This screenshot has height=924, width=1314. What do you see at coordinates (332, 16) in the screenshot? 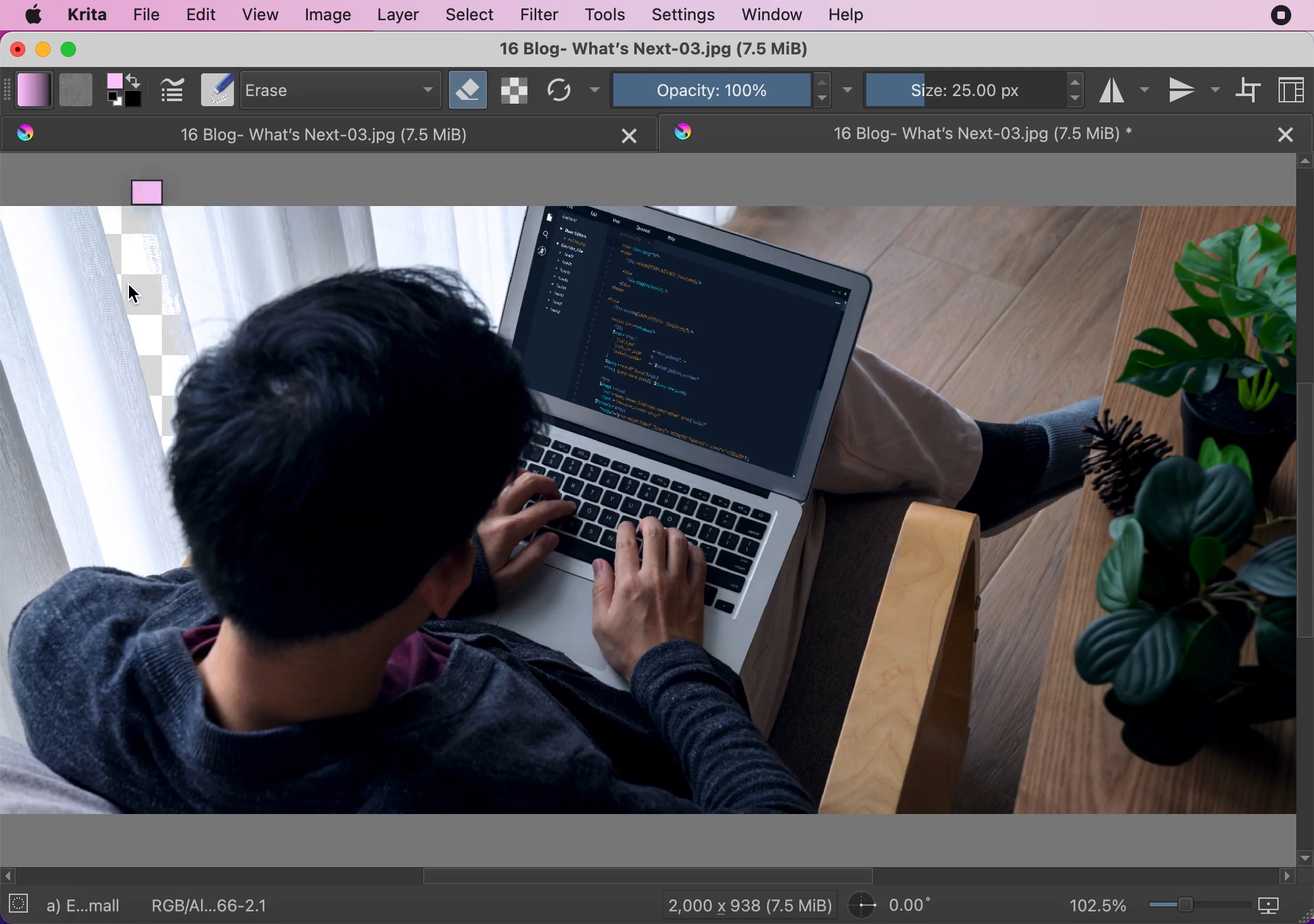
I see `image` at bounding box center [332, 16].